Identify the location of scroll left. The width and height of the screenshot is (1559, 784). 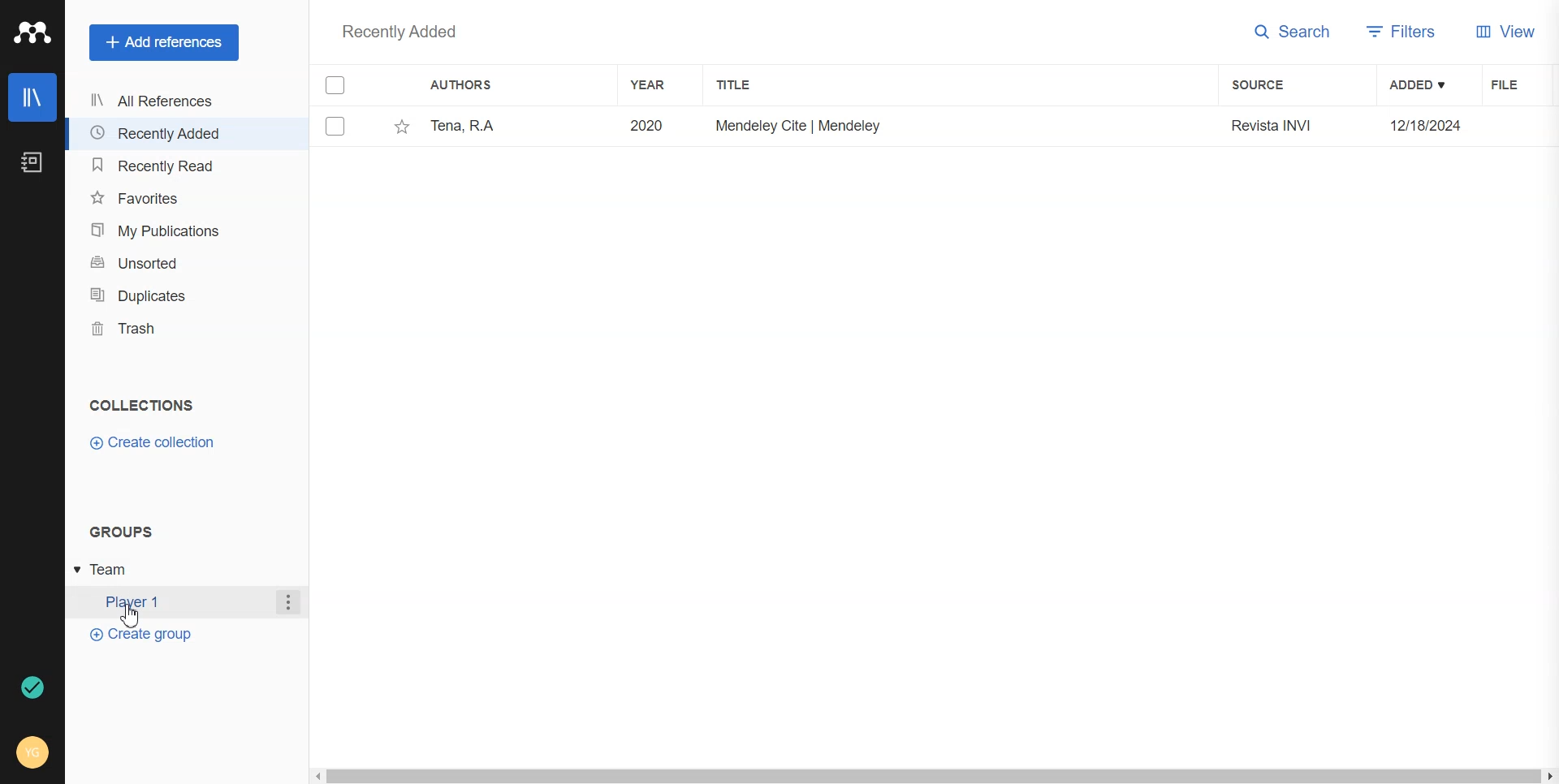
(315, 776).